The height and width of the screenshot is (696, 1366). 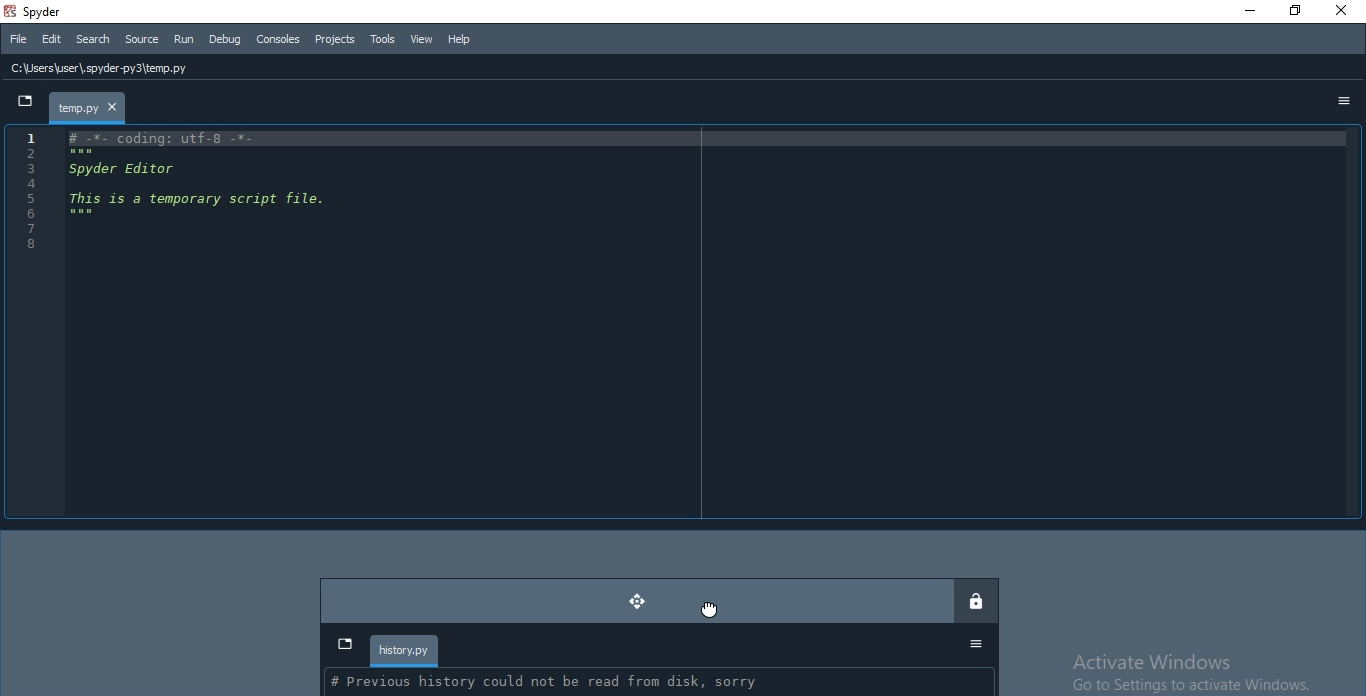 I want to click on Run, so click(x=184, y=38).